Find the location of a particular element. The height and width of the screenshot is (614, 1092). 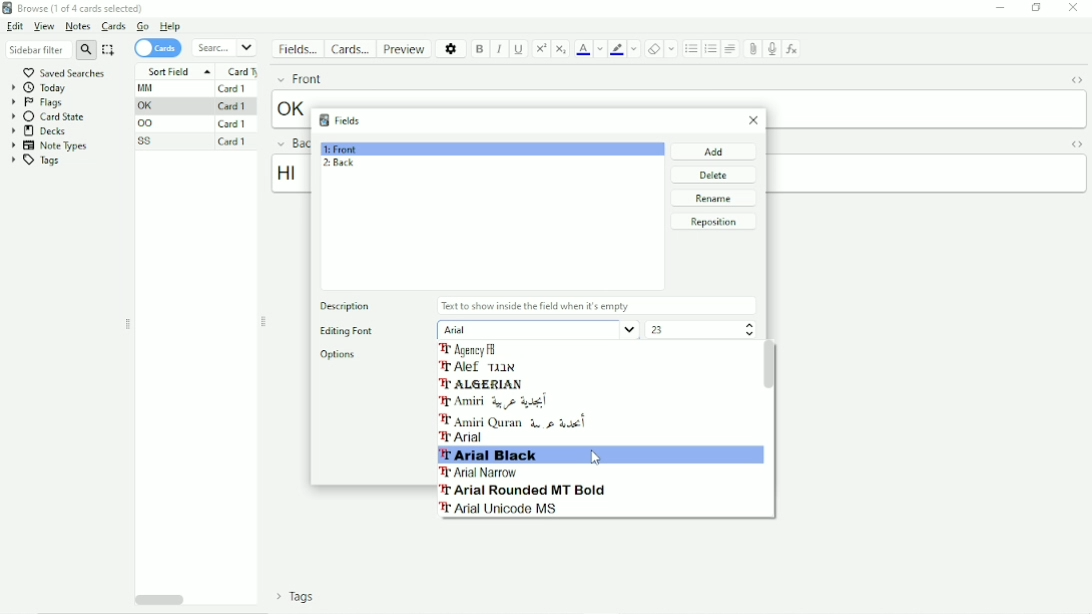

Text color is located at coordinates (584, 49).